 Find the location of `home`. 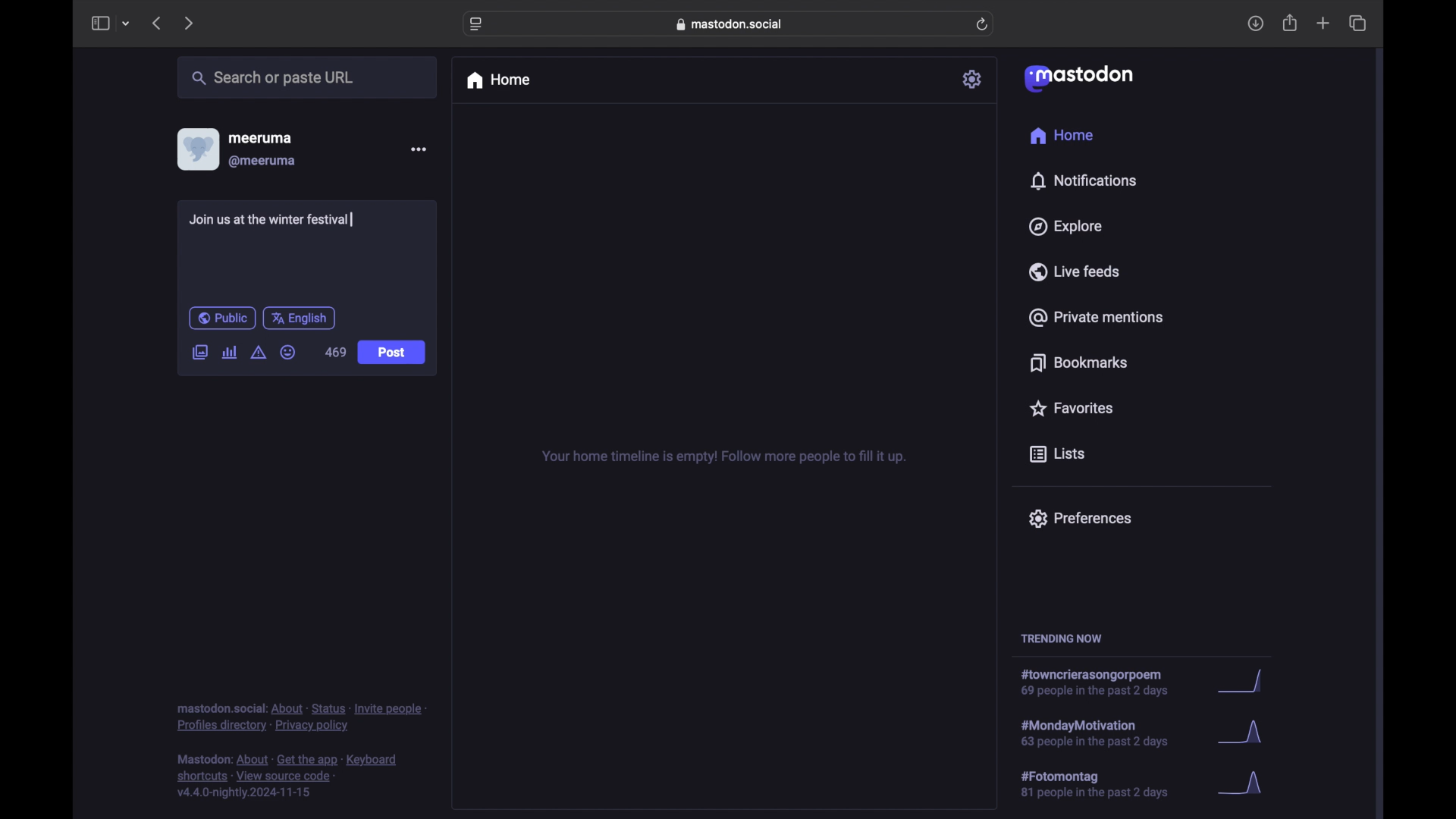

home is located at coordinates (497, 80).